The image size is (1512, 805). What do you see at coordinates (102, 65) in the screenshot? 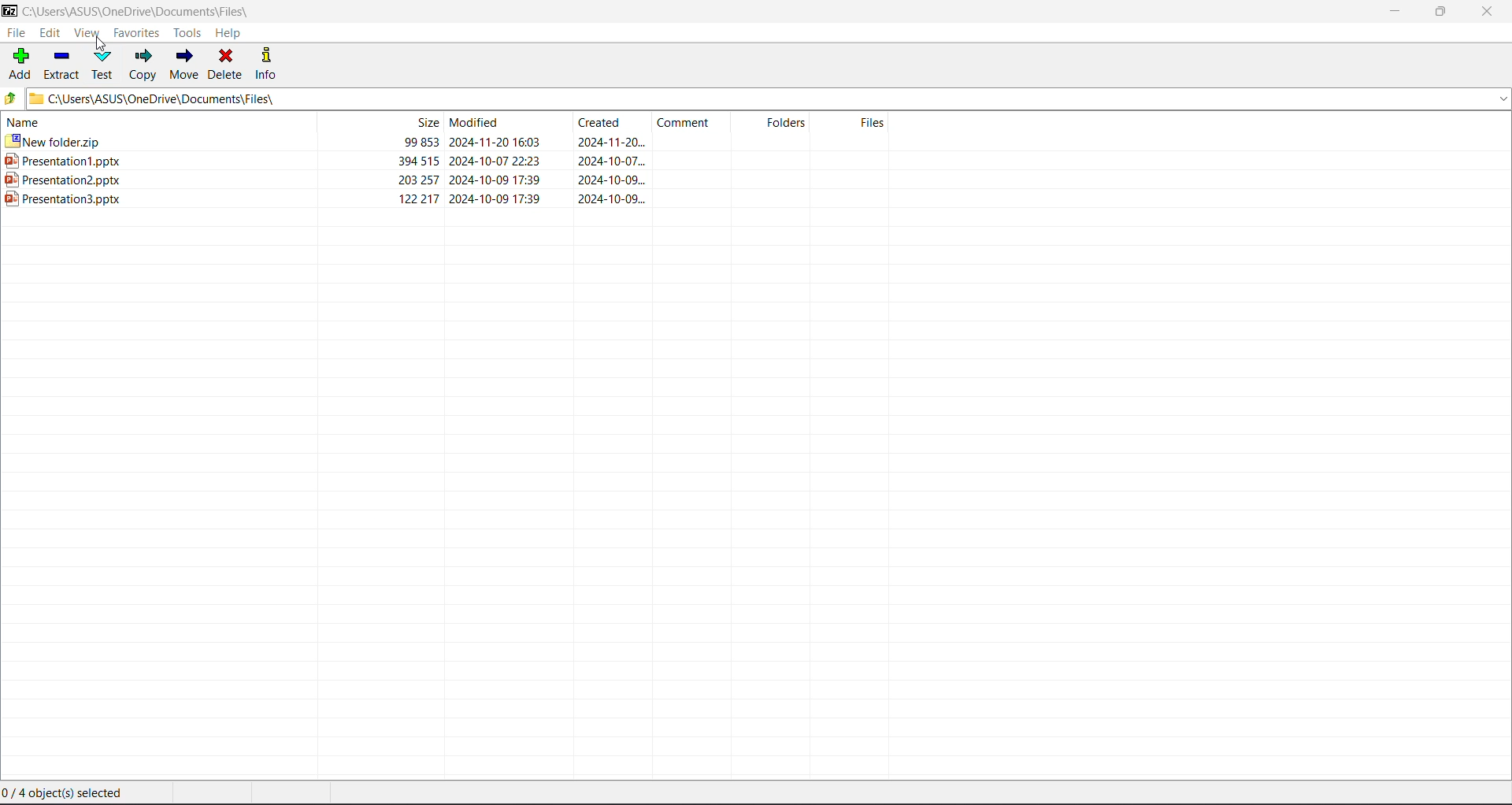
I see `Test` at bounding box center [102, 65].